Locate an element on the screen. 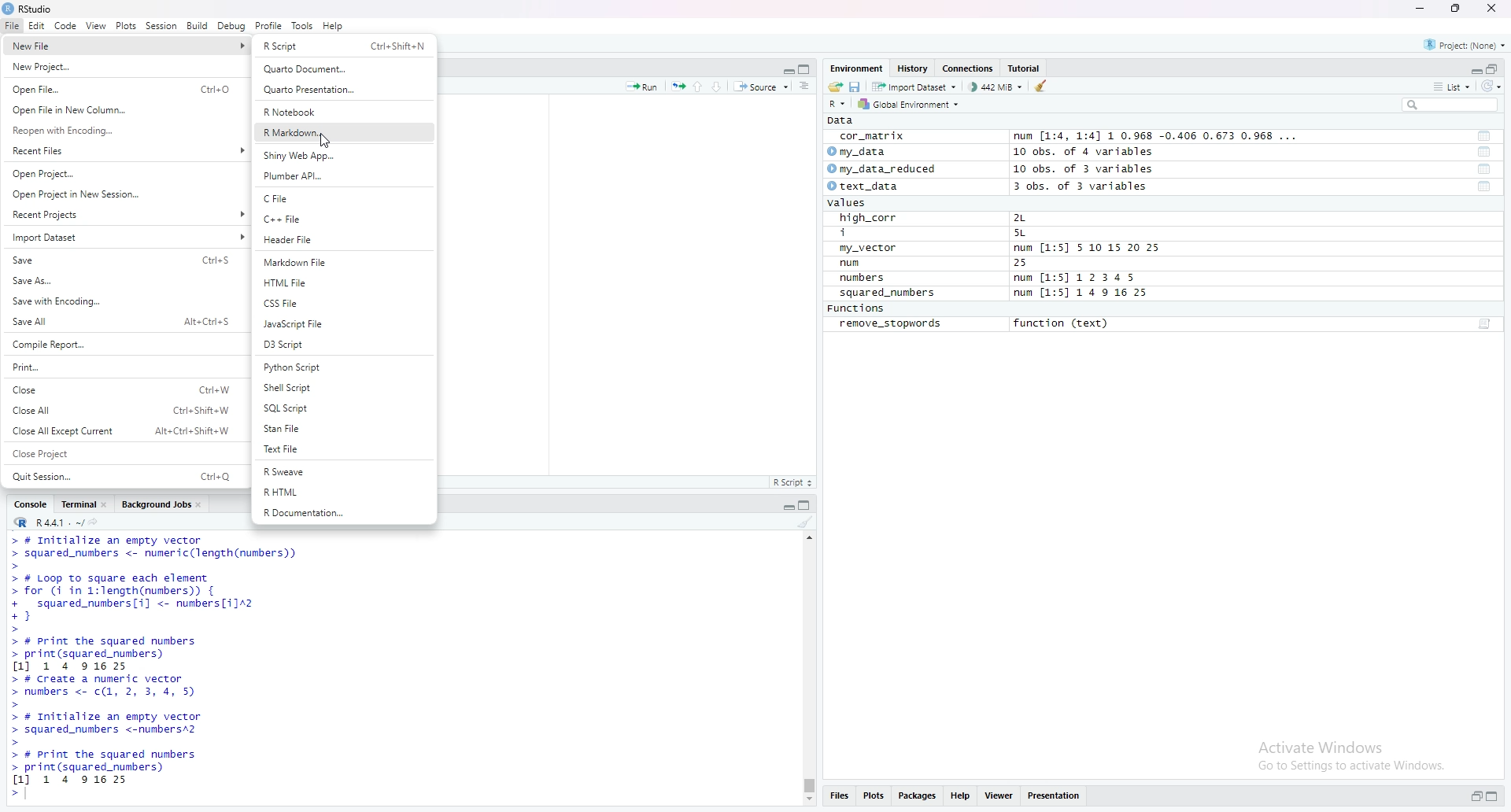  Cursor is located at coordinates (325, 142).